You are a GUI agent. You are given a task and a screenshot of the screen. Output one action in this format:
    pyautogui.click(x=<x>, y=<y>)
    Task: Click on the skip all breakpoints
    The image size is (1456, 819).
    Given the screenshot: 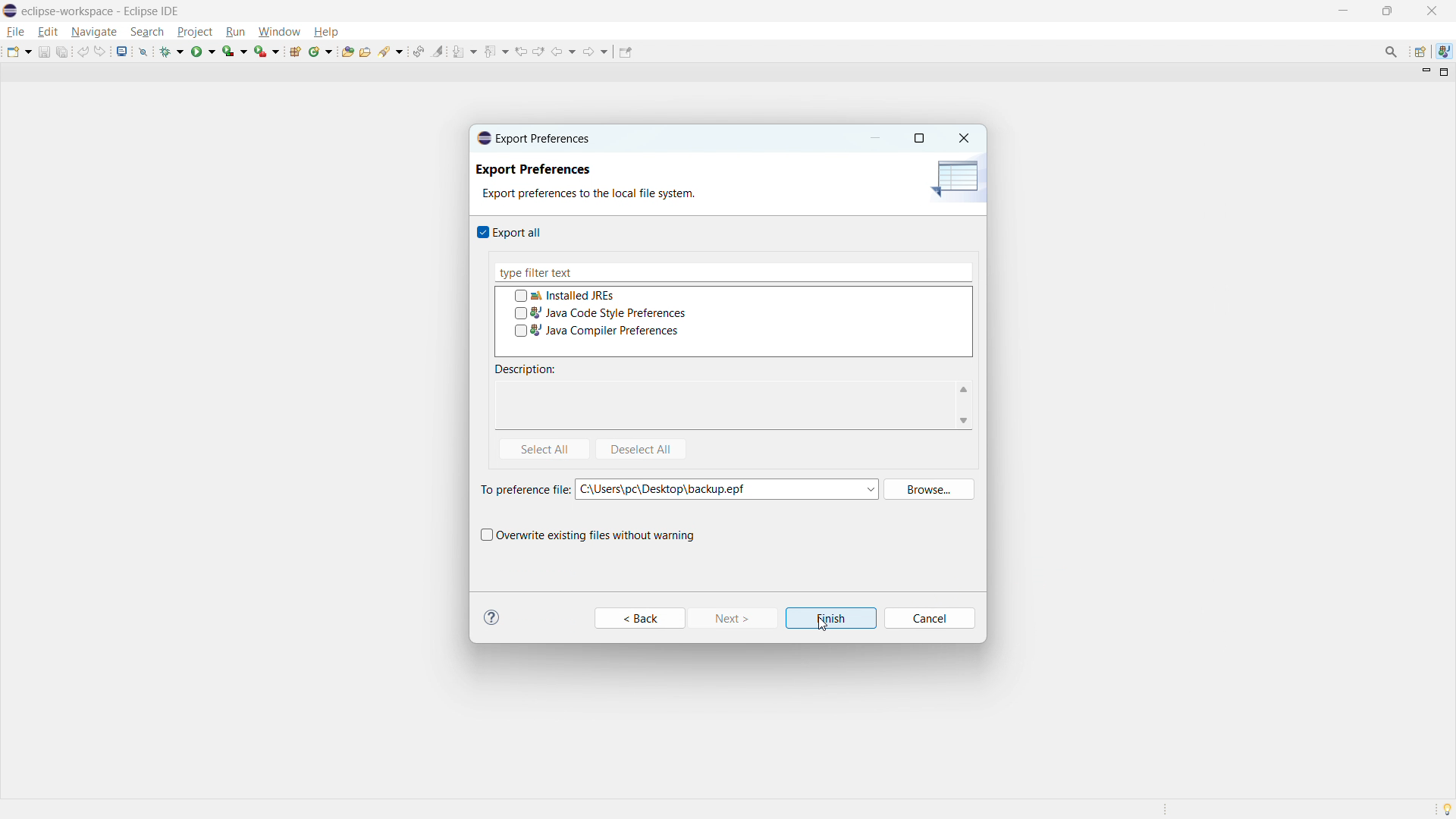 What is the action you would take?
    pyautogui.click(x=143, y=51)
    